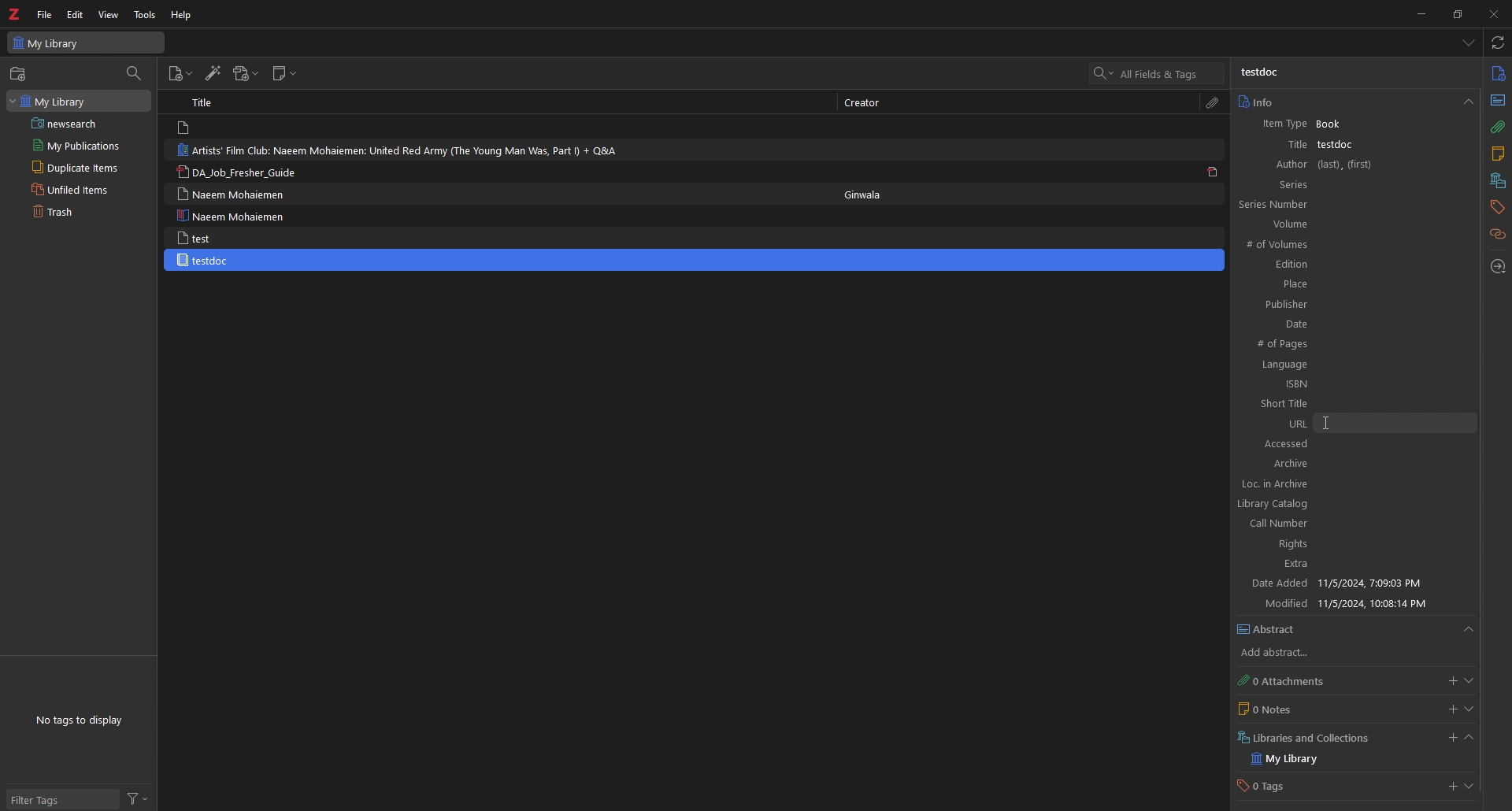 This screenshot has width=1512, height=811. I want to click on resize, so click(1457, 14).